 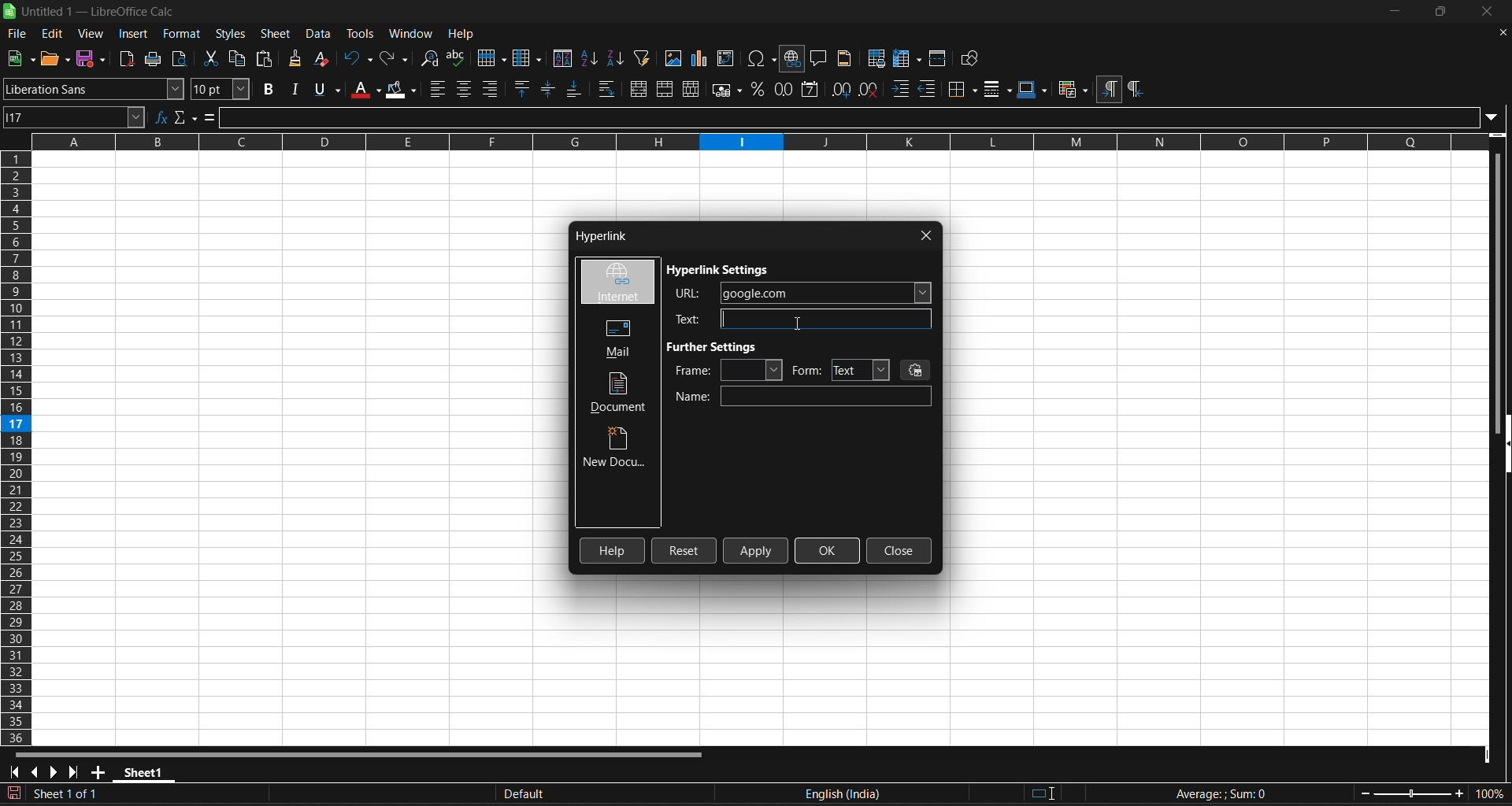 I want to click on italic, so click(x=295, y=88).